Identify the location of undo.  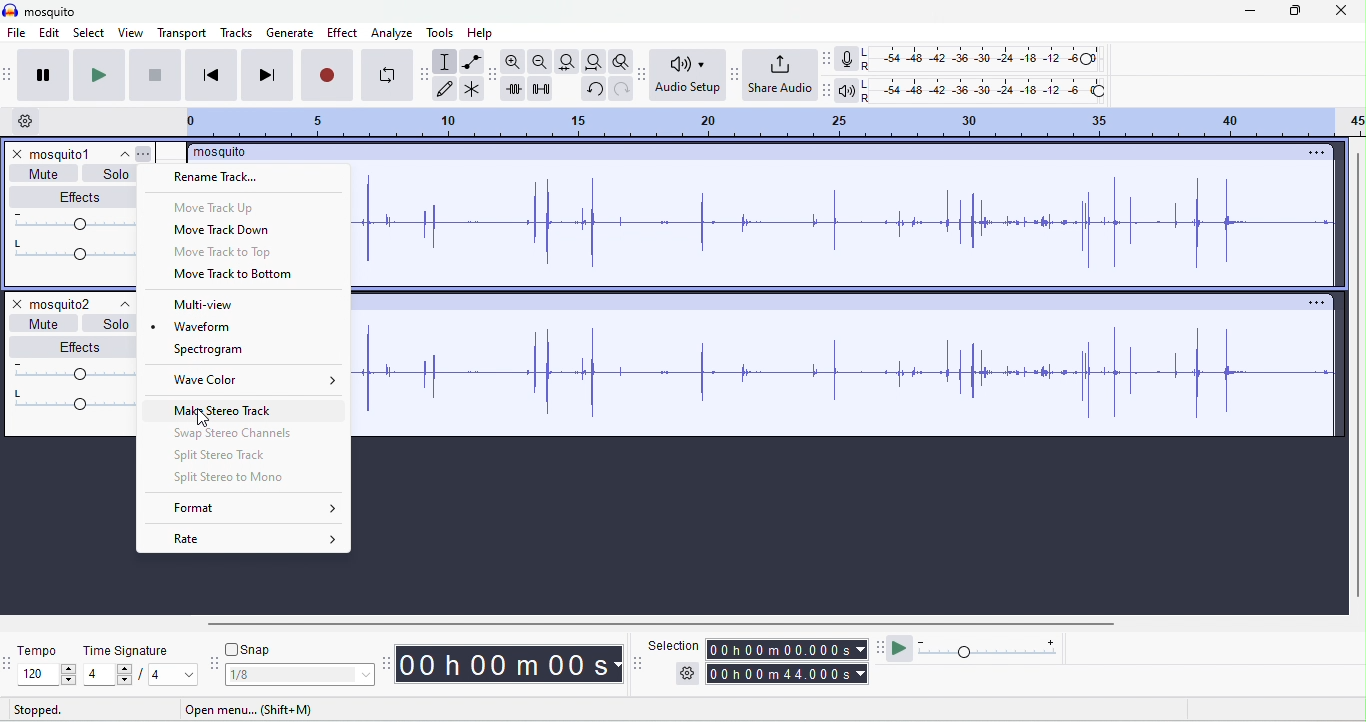
(596, 90).